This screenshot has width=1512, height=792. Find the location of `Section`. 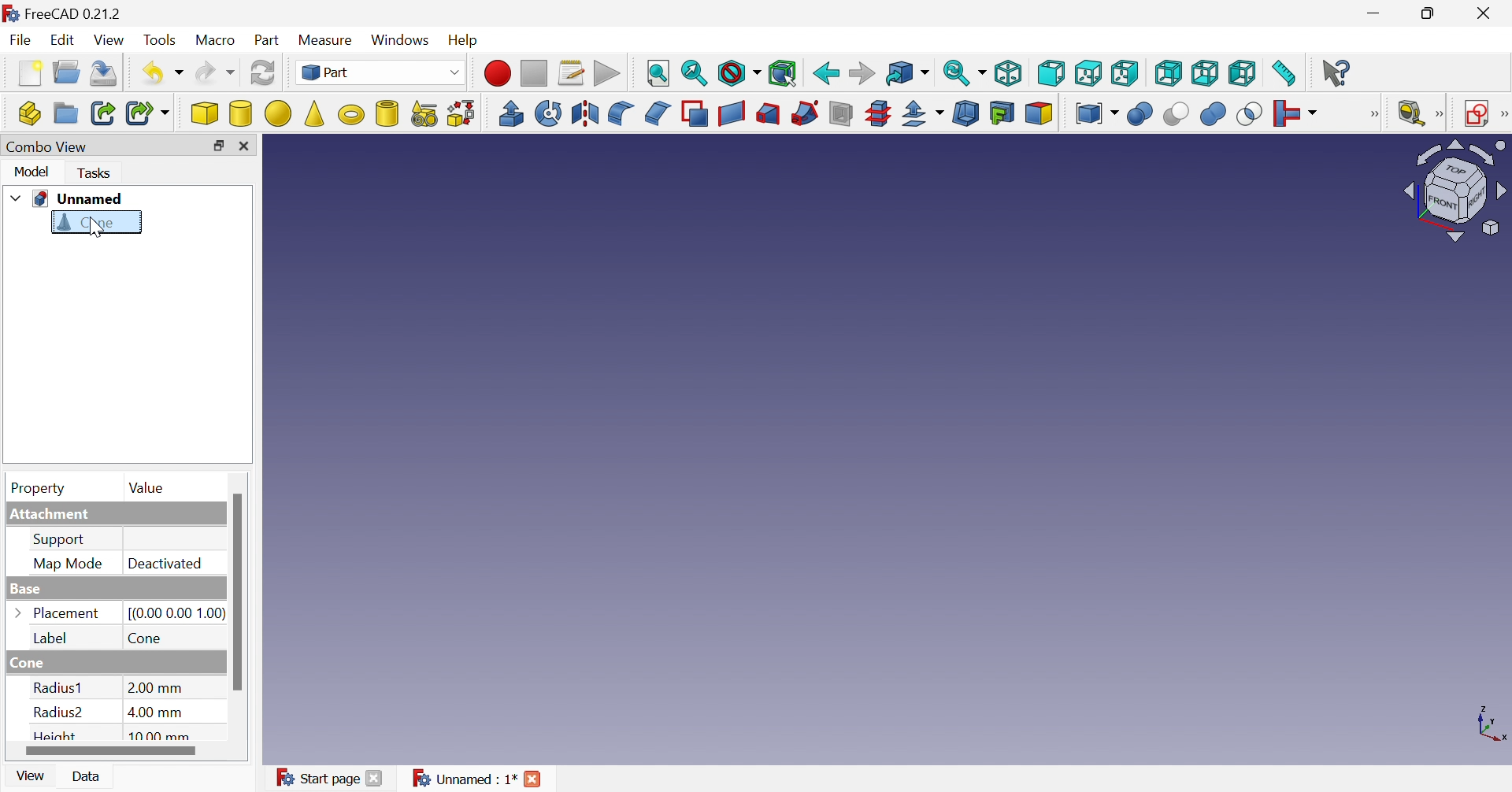

Section is located at coordinates (839, 113).